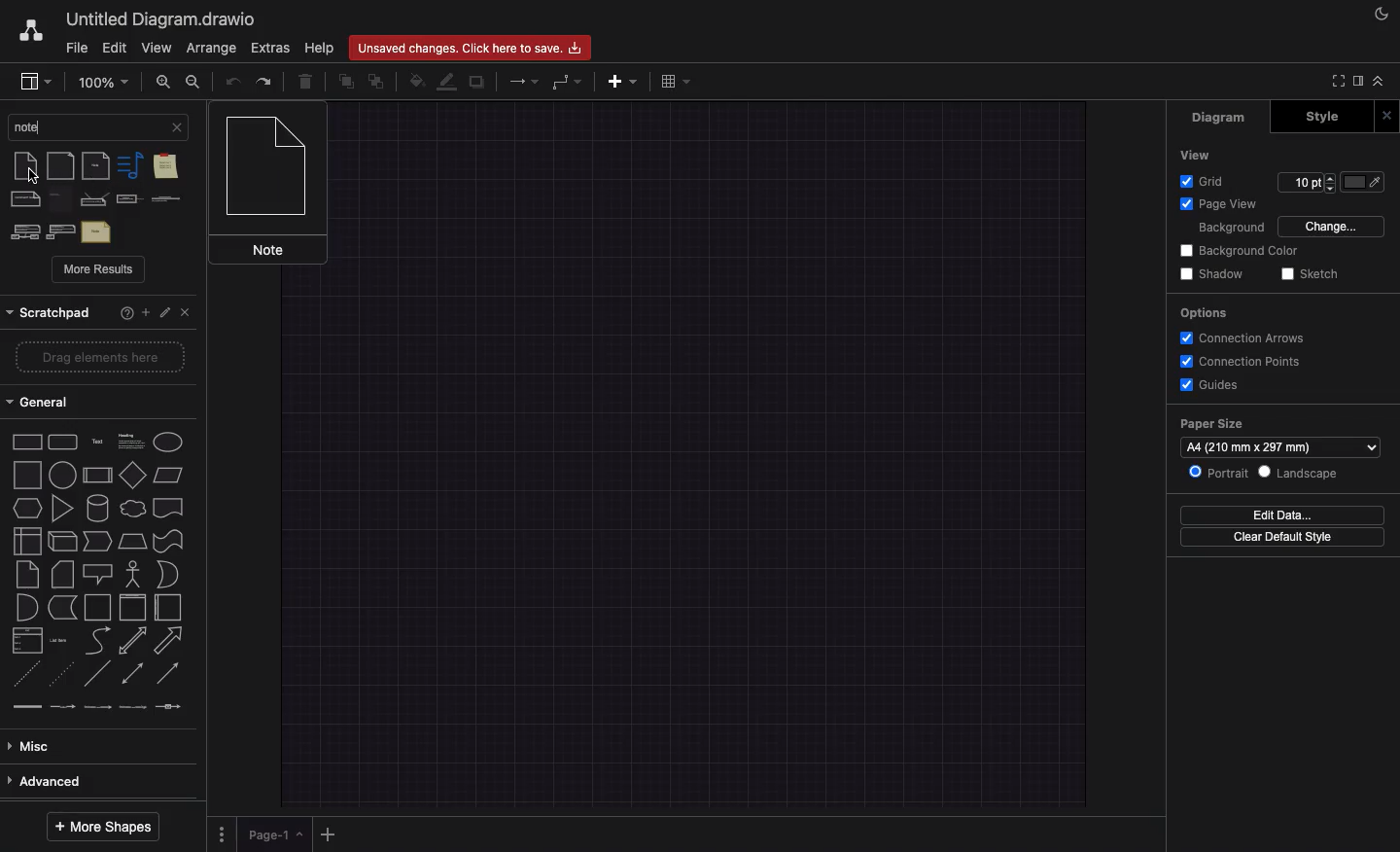 The width and height of the screenshot is (1400, 852). I want to click on Add page, so click(327, 835).